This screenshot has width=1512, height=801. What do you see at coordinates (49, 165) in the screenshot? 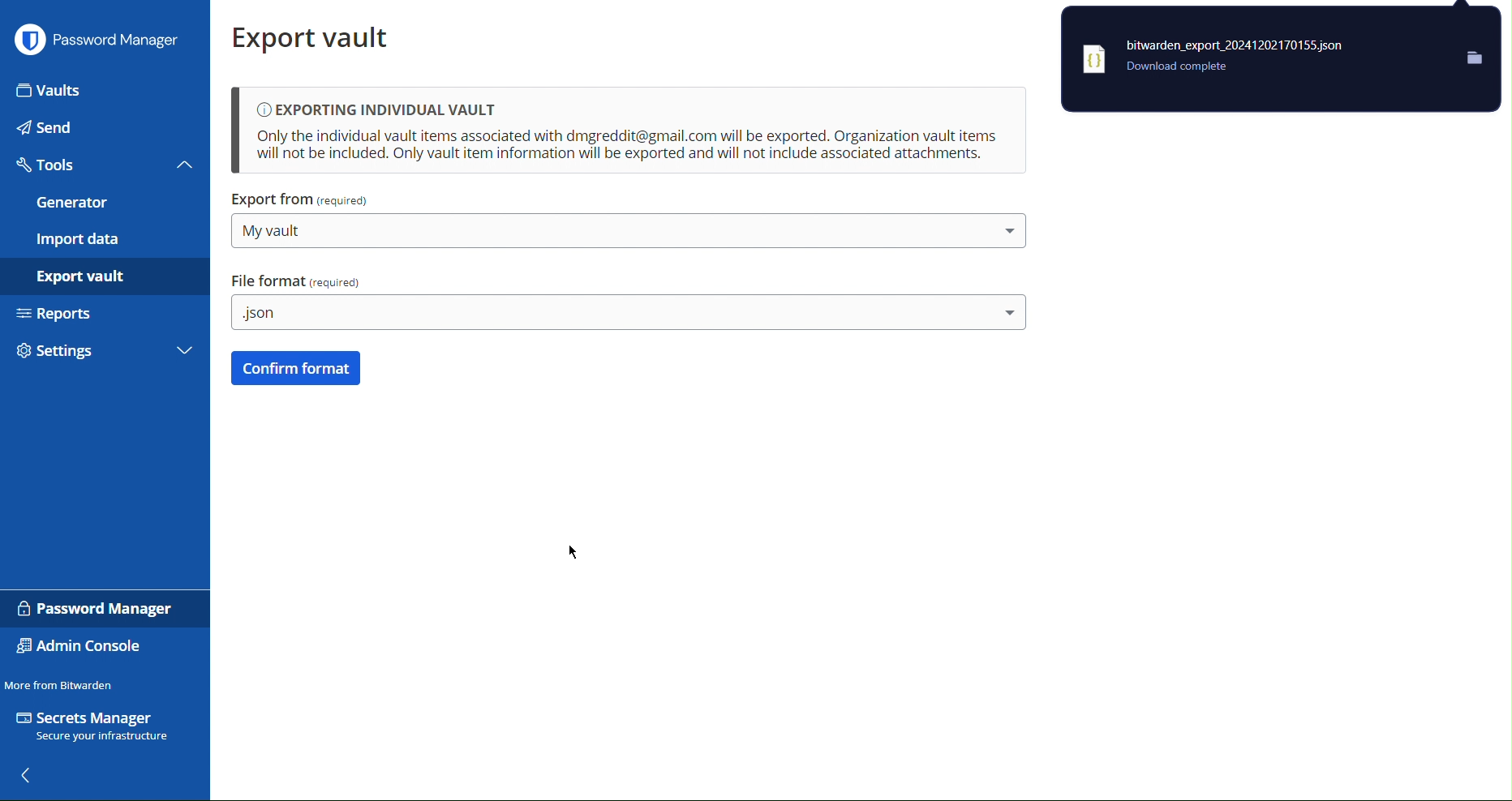
I see `Tools` at bounding box center [49, 165].